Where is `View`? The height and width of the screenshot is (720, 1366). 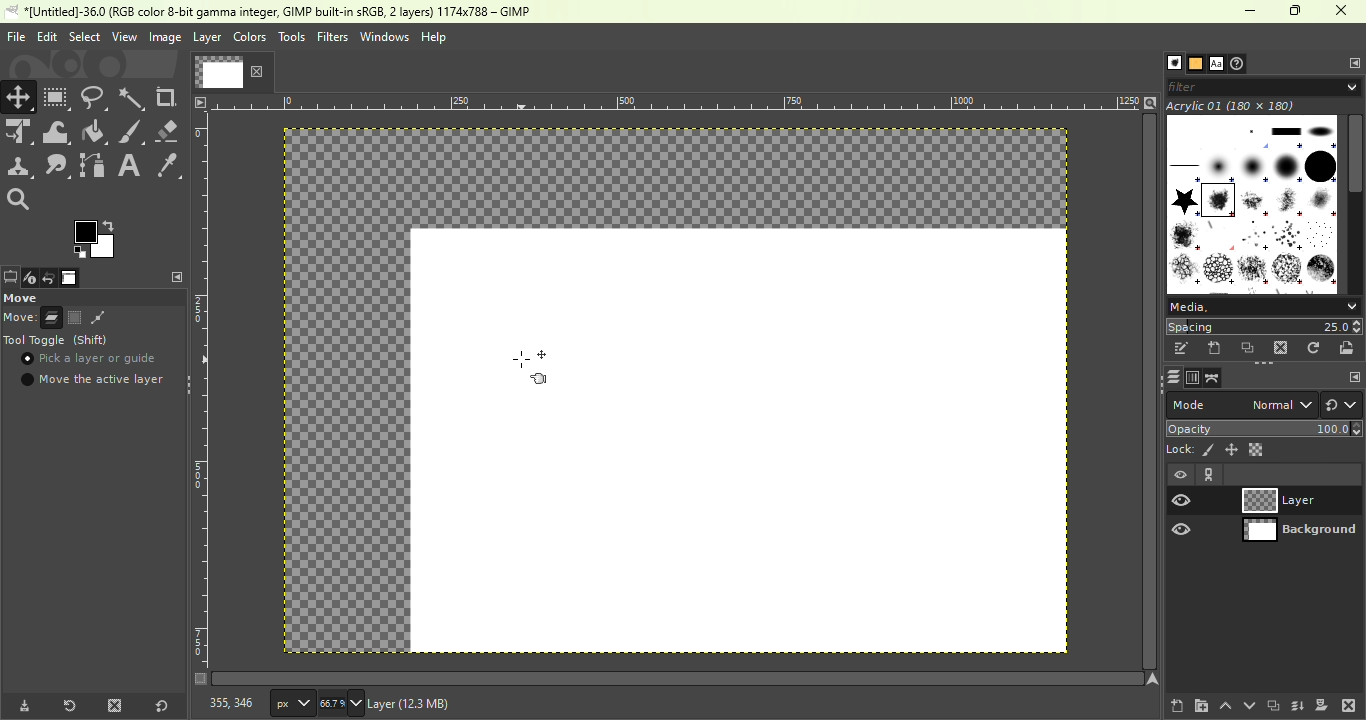 View is located at coordinates (122, 36).